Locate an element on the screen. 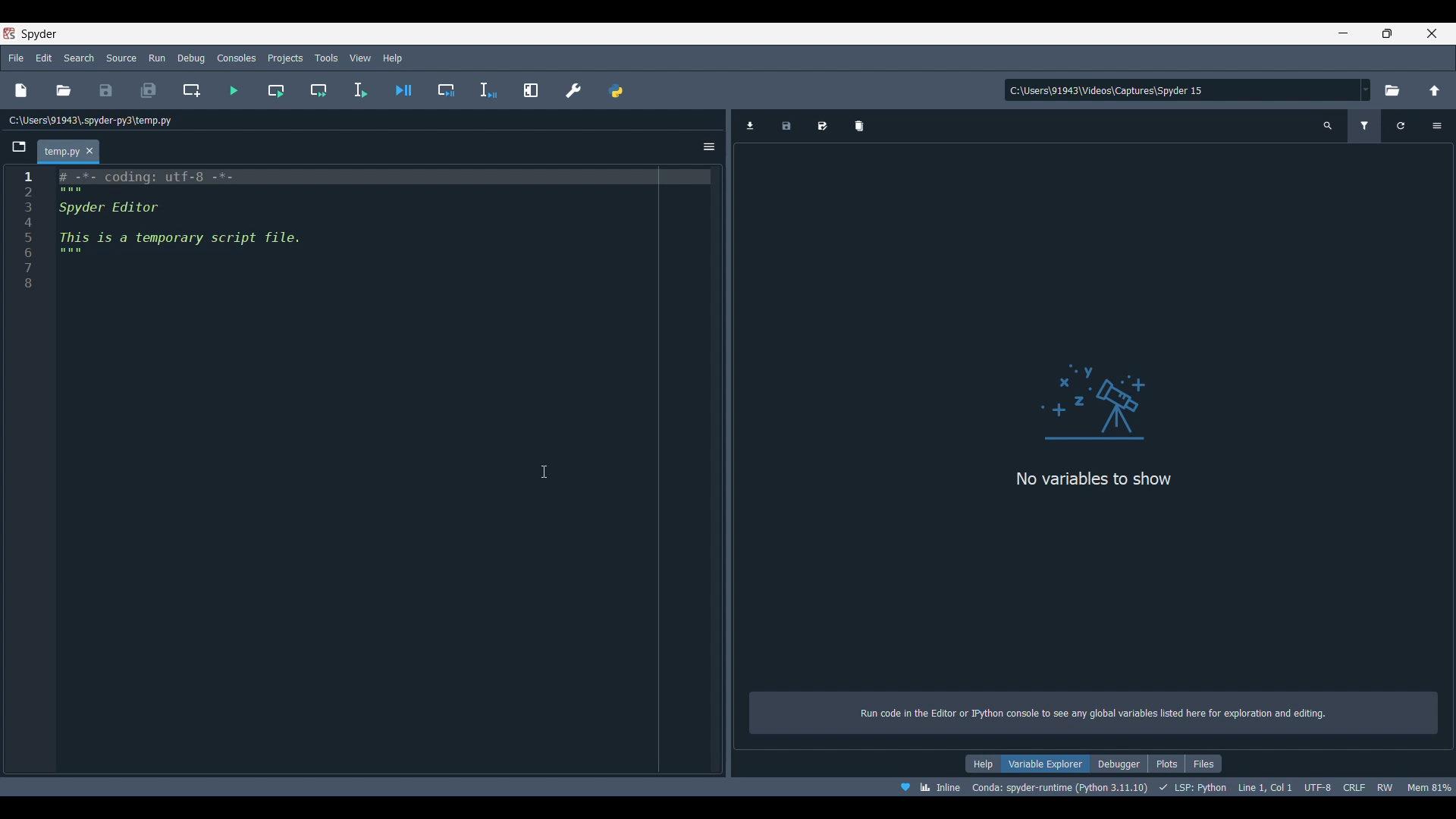  Projects menu is located at coordinates (286, 58).